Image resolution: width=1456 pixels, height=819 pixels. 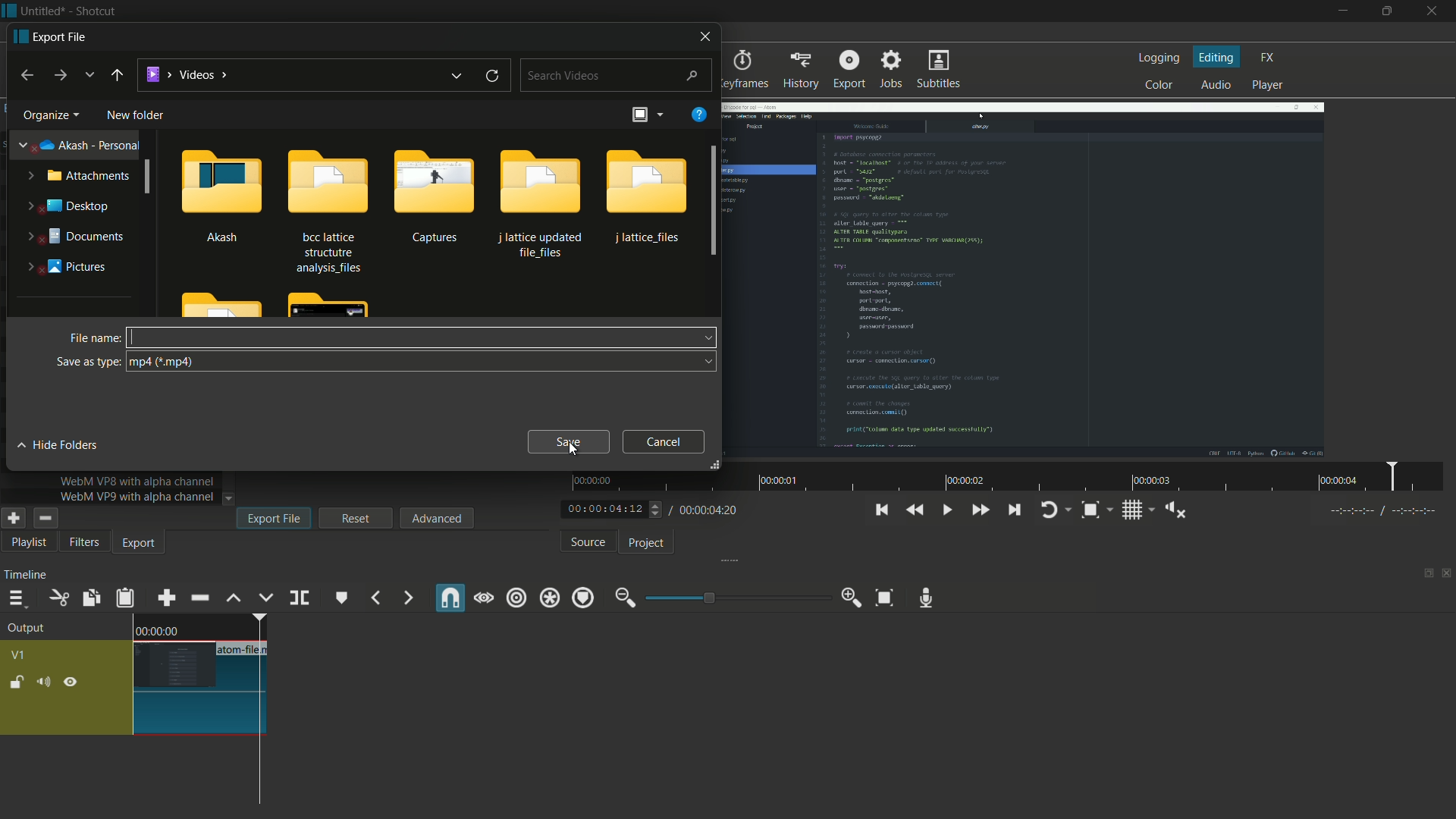 I want to click on create or edit marker, so click(x=340, y=599).